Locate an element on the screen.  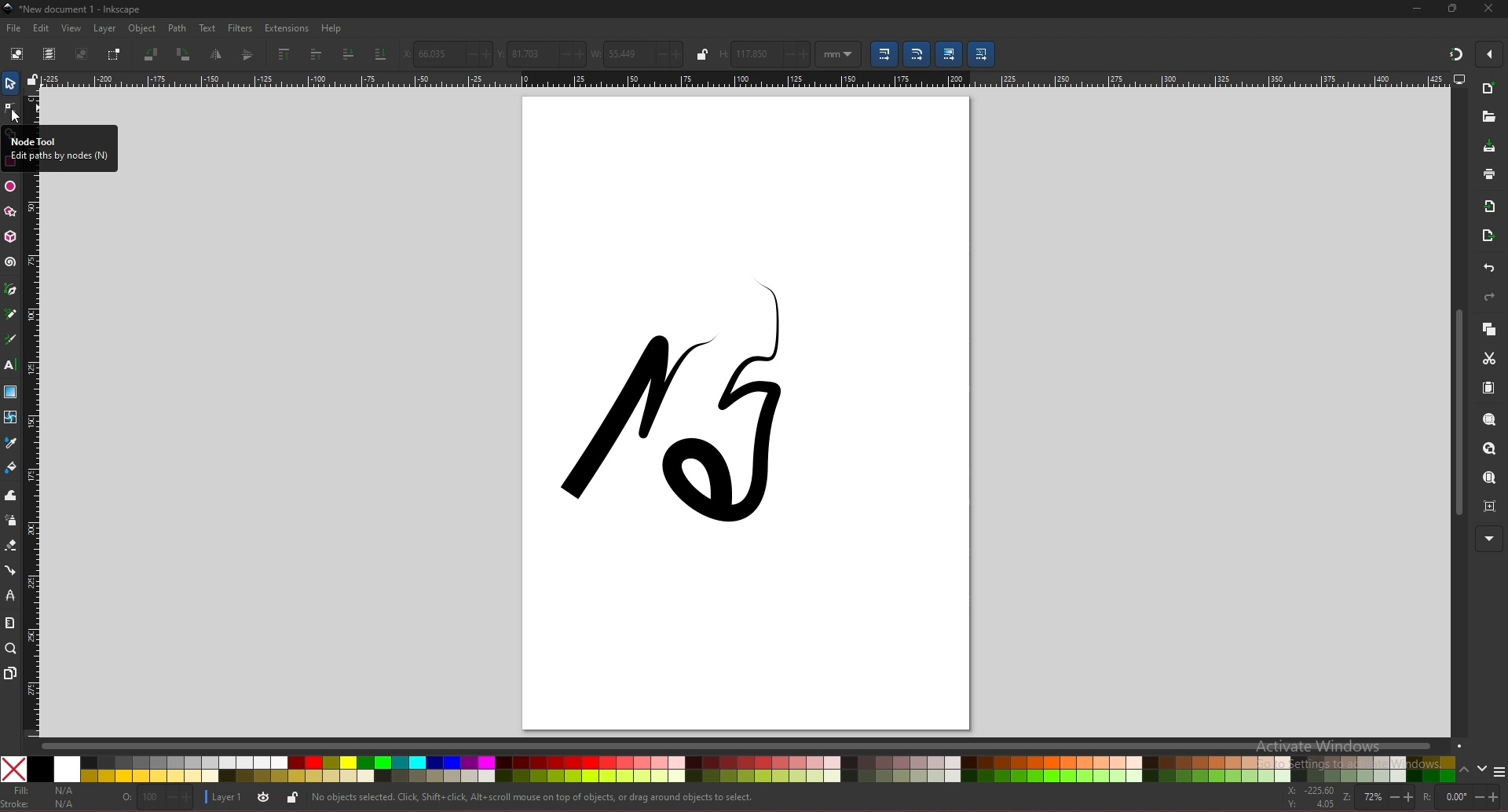
calligraphy is located at coordinates (10, 339).